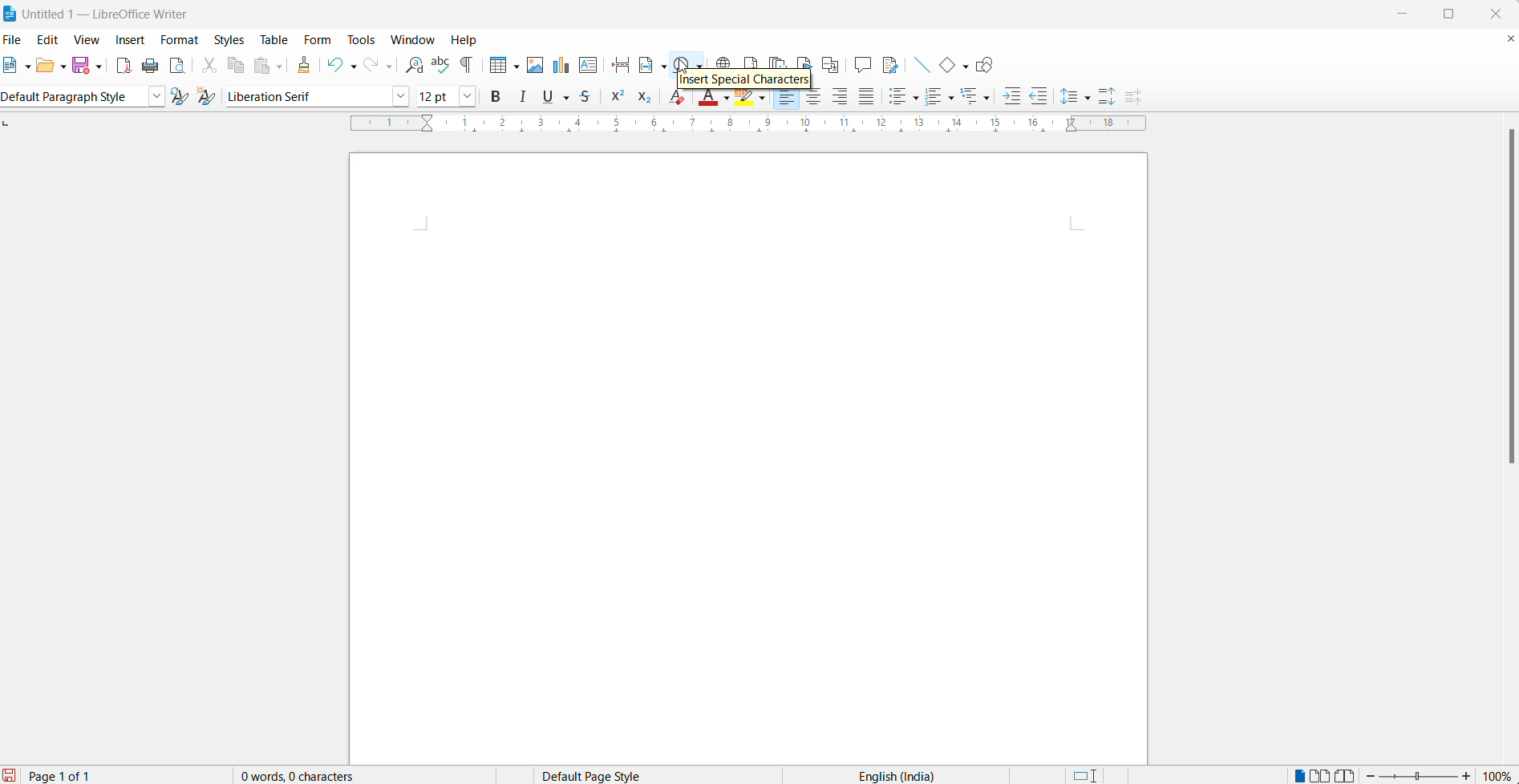 The width and height of the screenshot is (1519, 784). I want to click on text align right, so click(841, 98).